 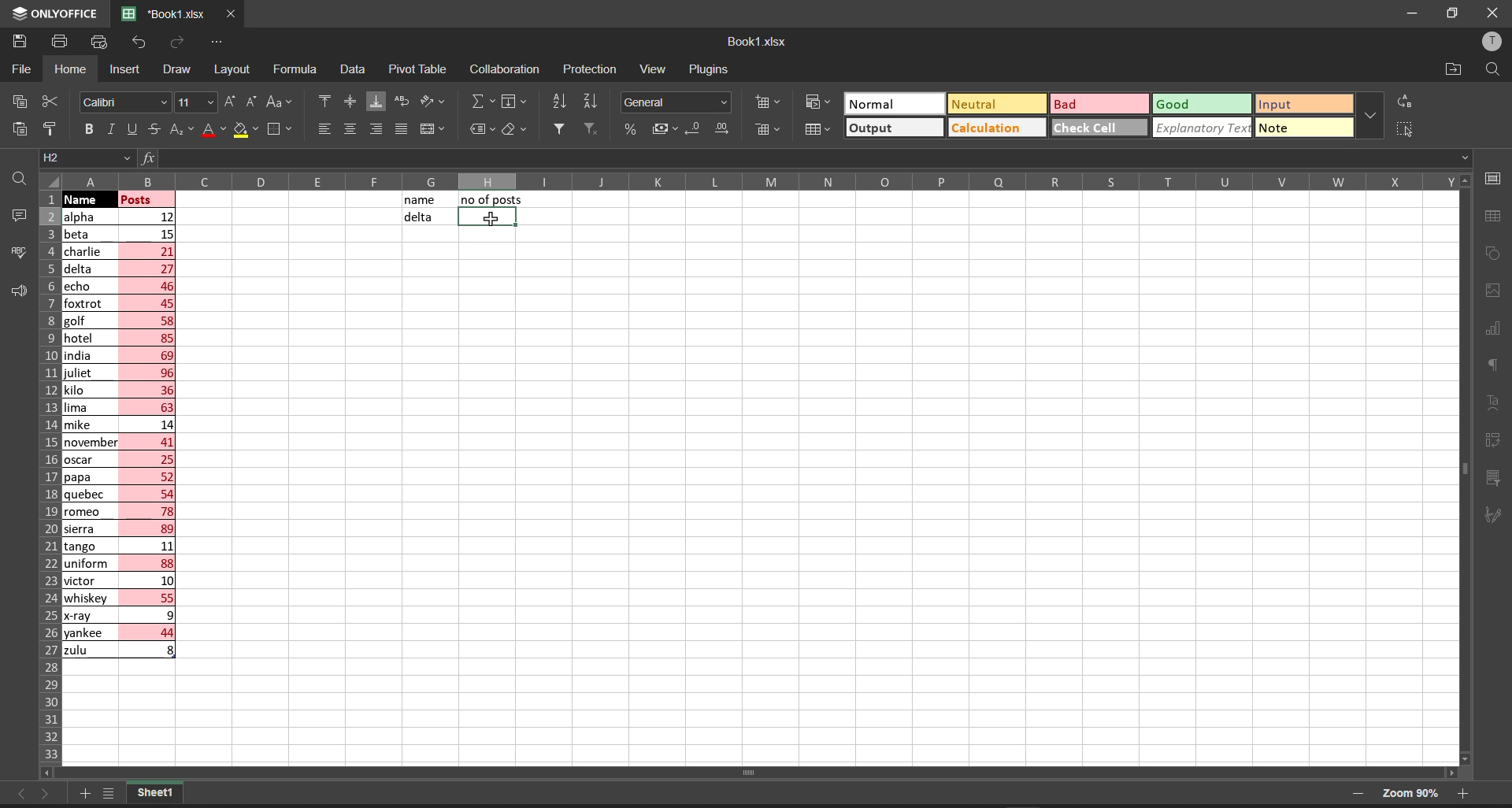 What do you see at coordinates (481, 130) in the screenshot?
I see `named ranges` at bounding box center [481, 130].